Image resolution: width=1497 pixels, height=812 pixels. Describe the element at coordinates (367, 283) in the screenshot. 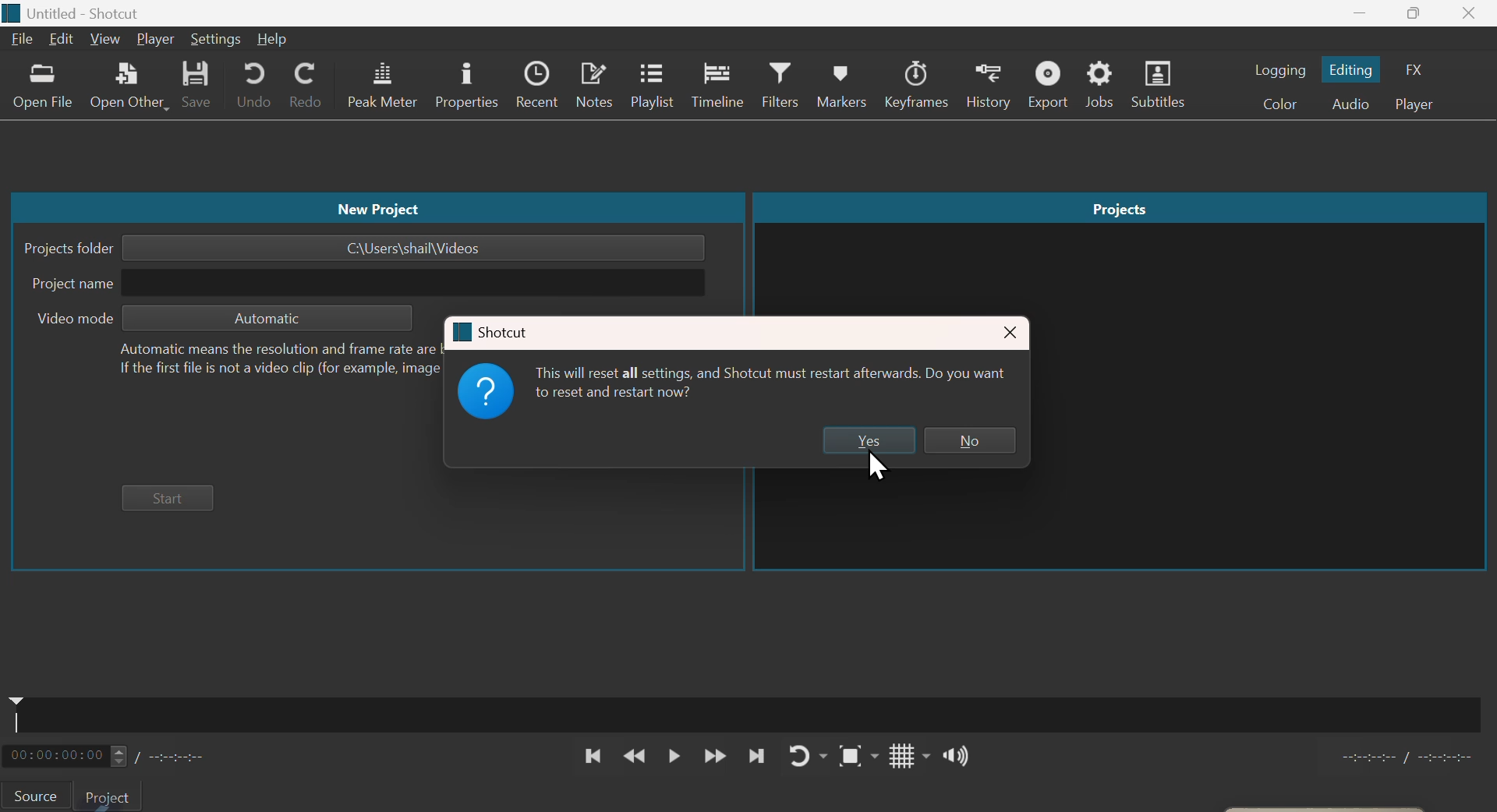

I see `Project name` at that location.